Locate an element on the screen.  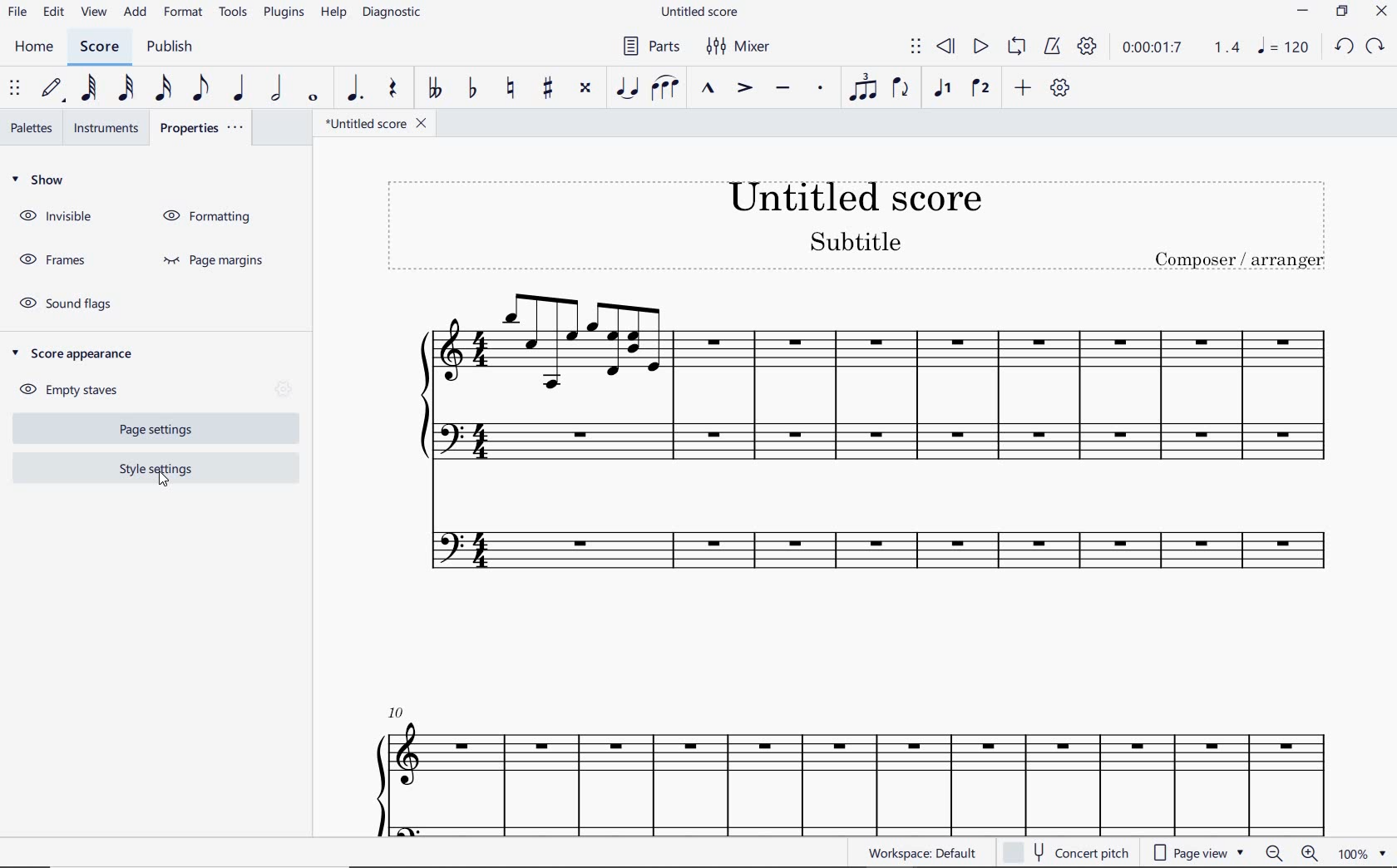
PALETTES is located at coordinates (31, 128).